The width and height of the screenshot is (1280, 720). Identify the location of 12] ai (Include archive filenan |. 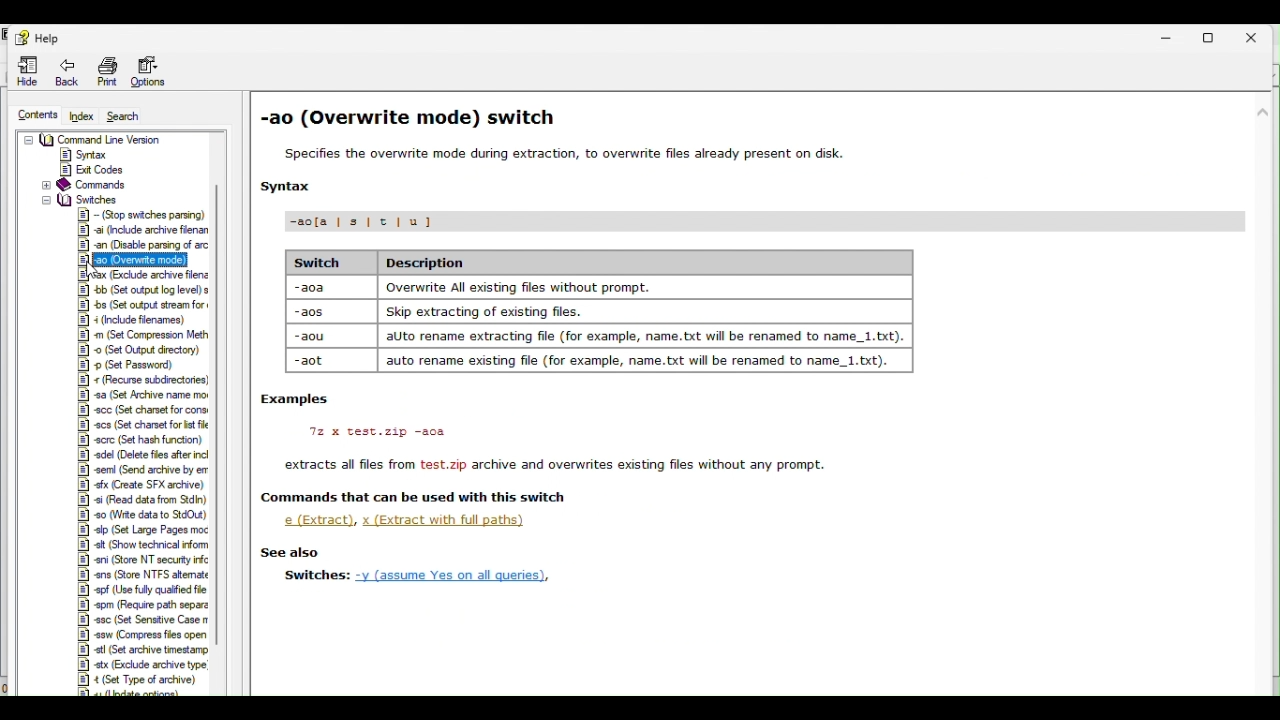
(148, 228).